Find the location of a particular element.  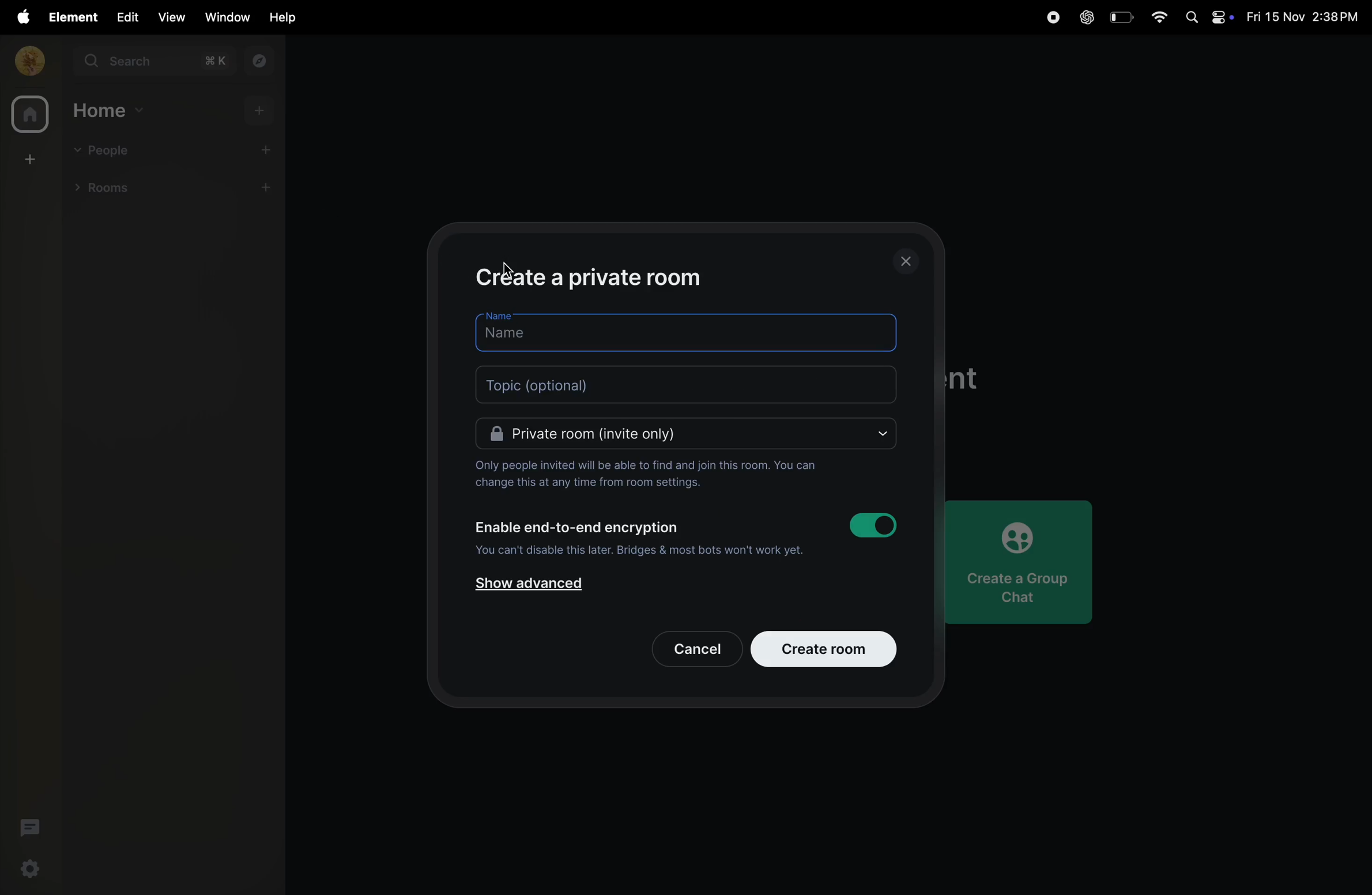

create space is located at coordinates (28, 158).